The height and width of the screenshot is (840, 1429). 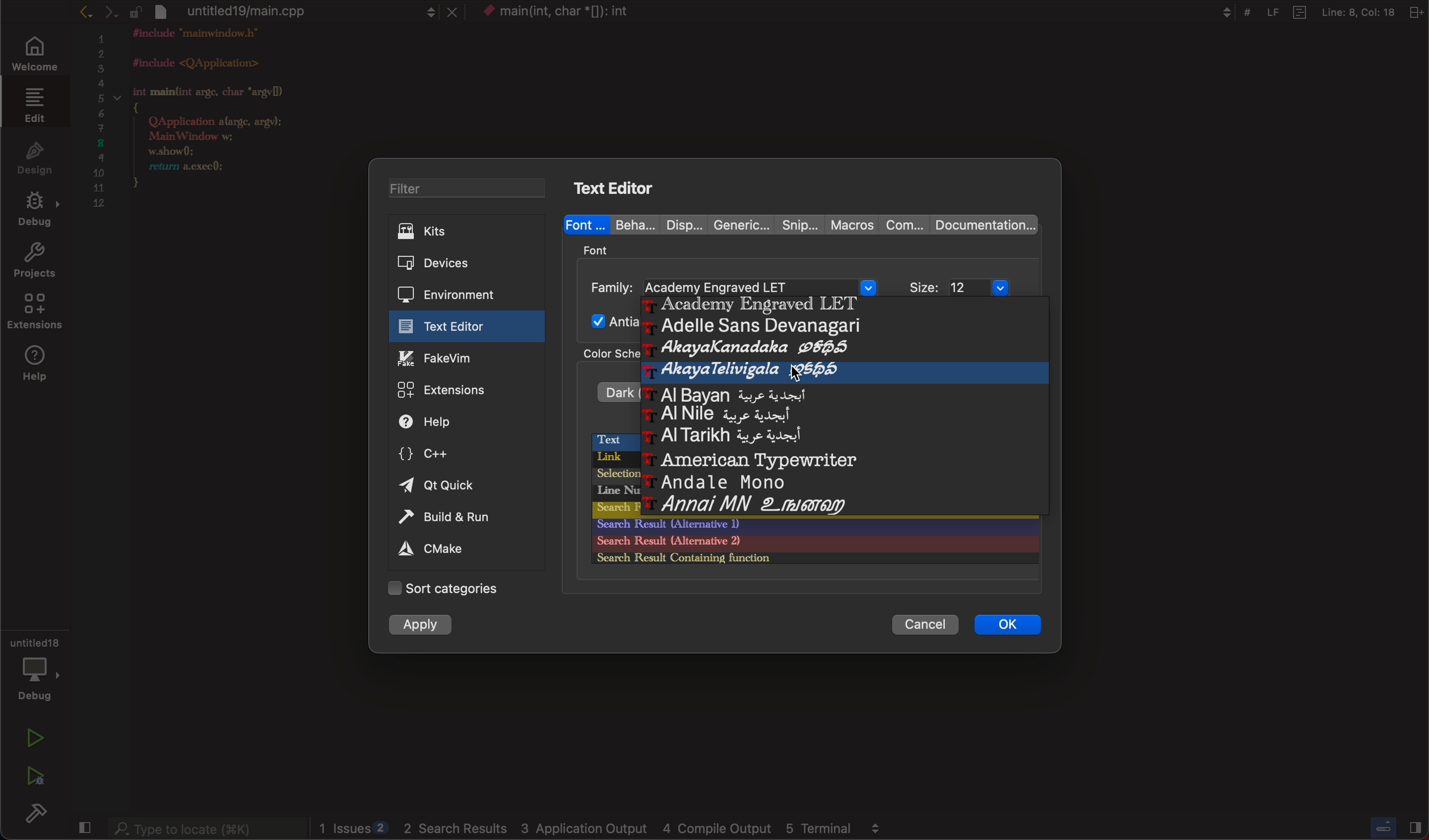 I want to click on family, so click(x=734, y=285).